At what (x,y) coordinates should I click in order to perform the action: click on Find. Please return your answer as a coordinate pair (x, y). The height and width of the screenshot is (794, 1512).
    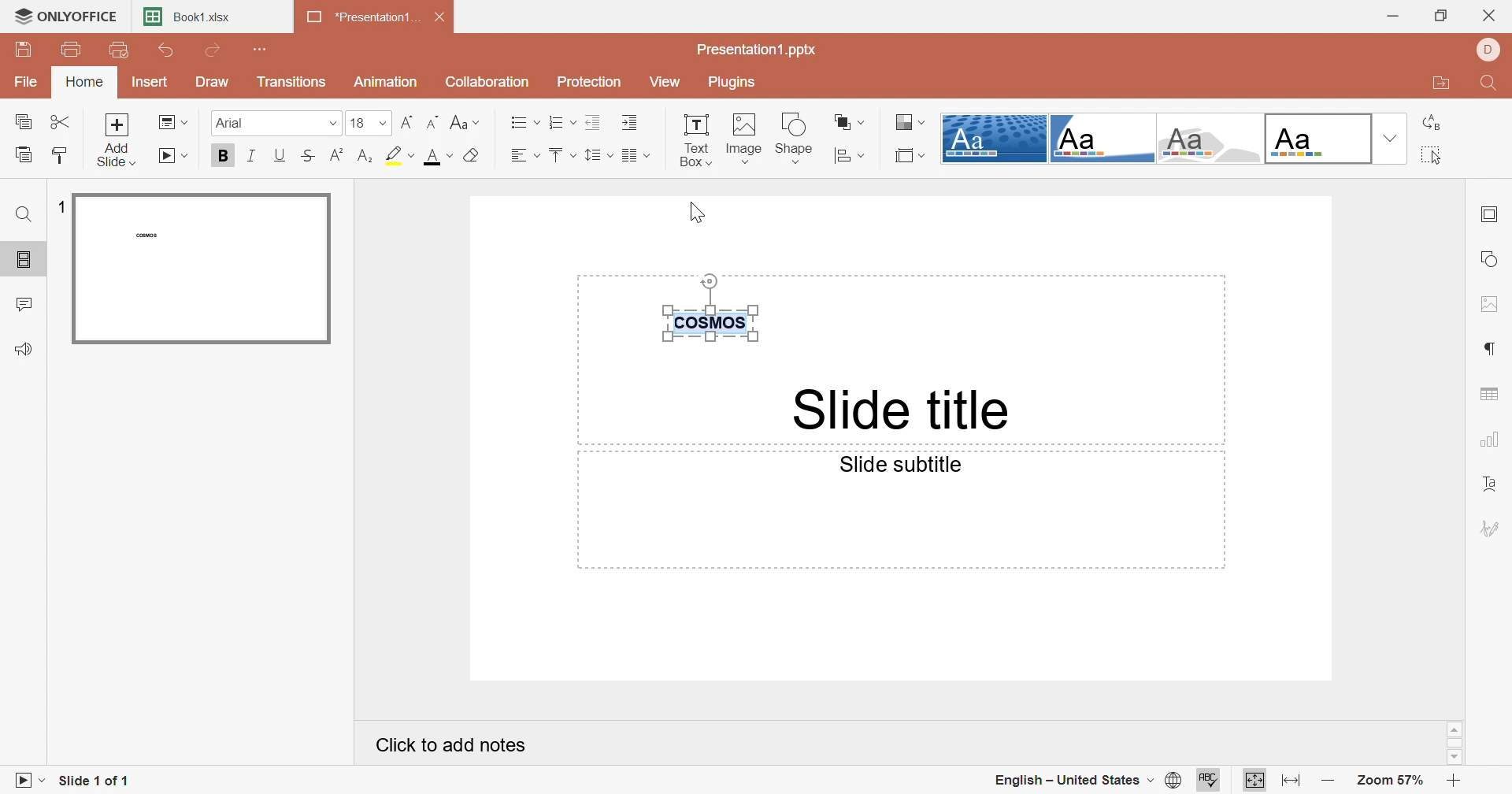
    Looking at the image, I should click on (26, 213).